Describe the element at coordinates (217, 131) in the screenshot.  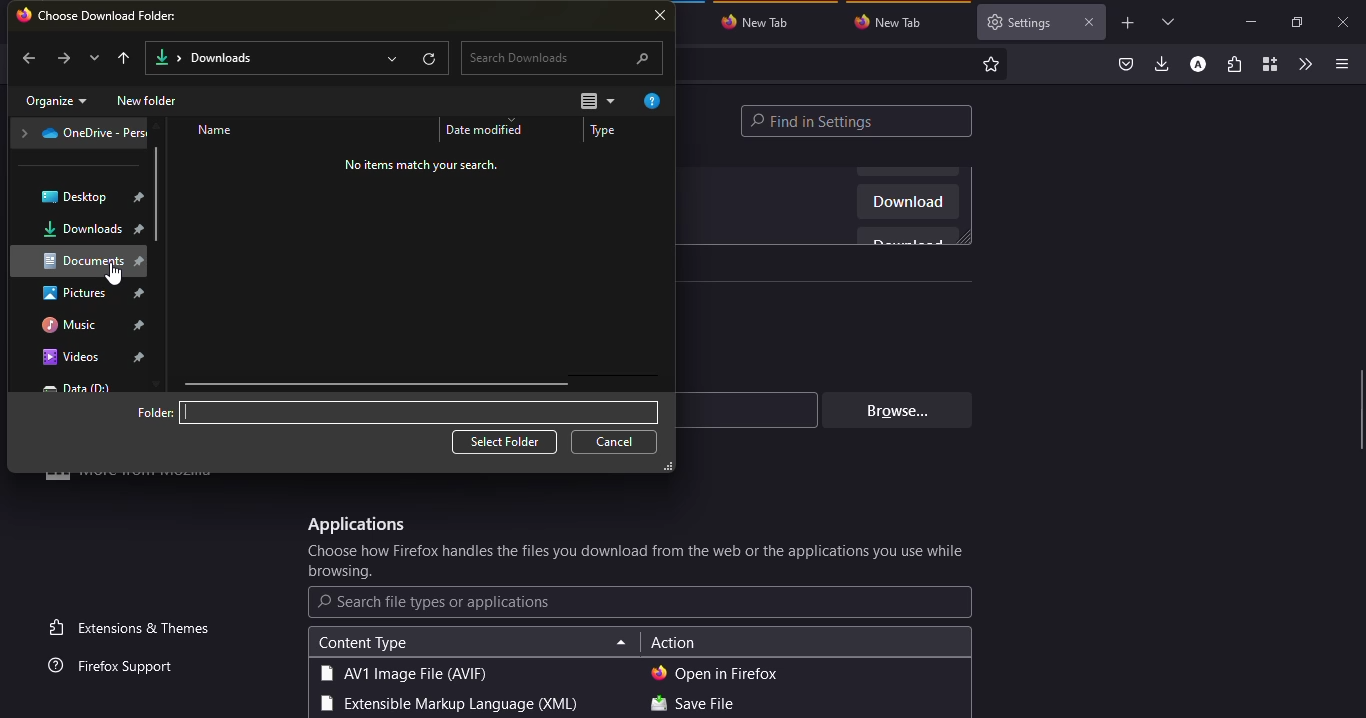
I see `name` at that location.